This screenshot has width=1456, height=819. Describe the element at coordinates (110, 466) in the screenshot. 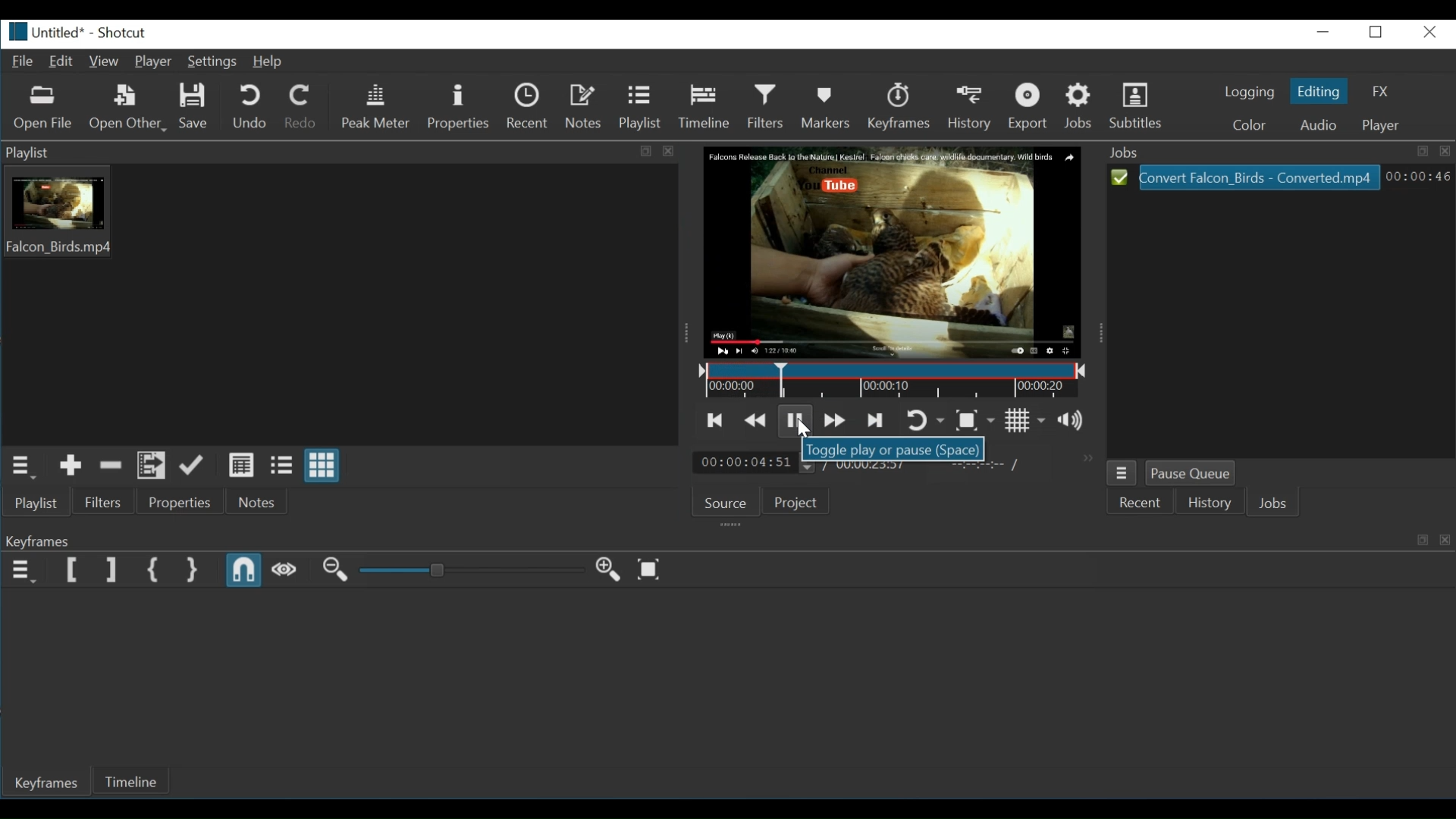

I see `Remove cut` at that location.